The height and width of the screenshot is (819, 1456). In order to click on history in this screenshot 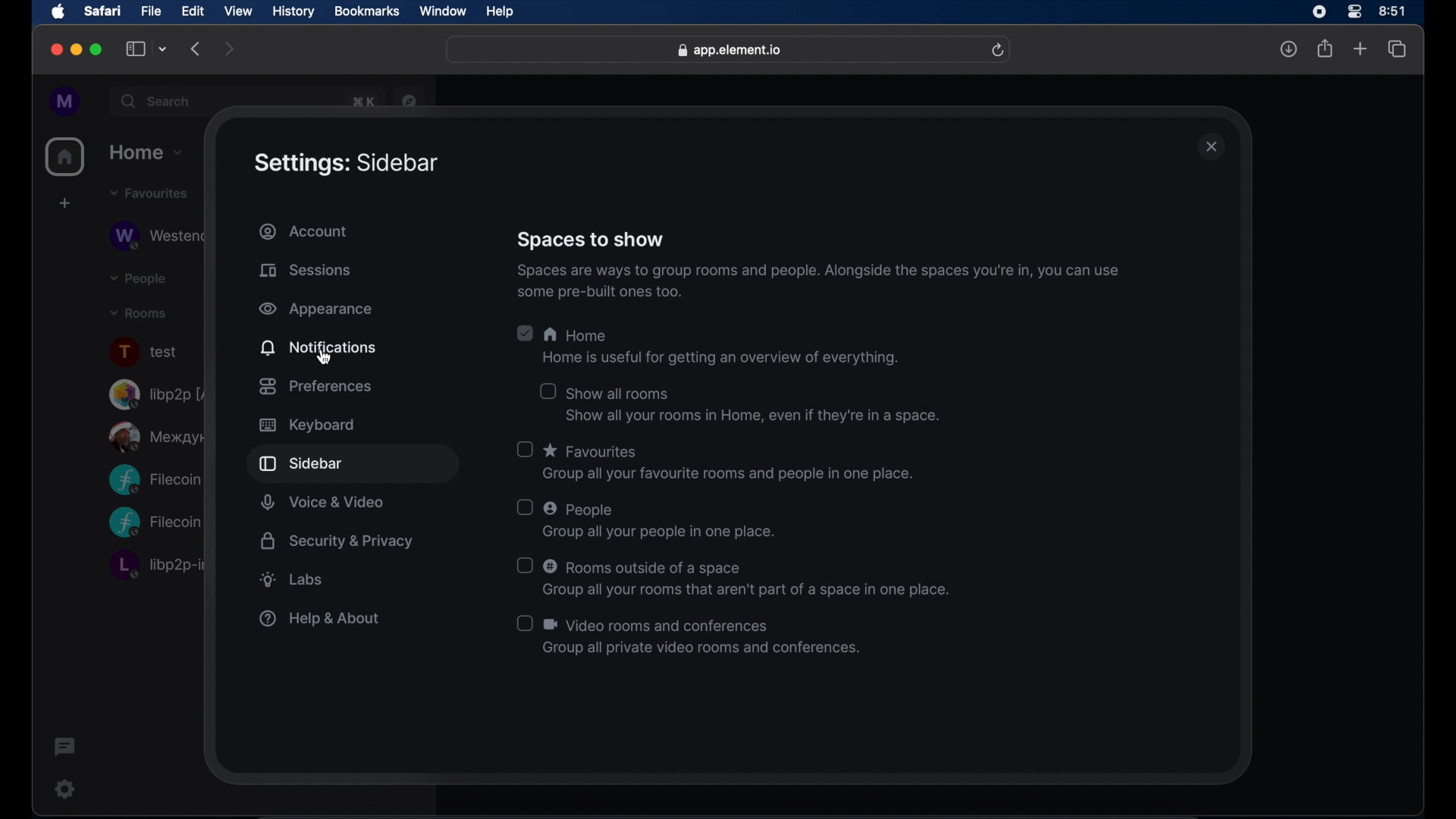, I will do `click(293, 12)`.